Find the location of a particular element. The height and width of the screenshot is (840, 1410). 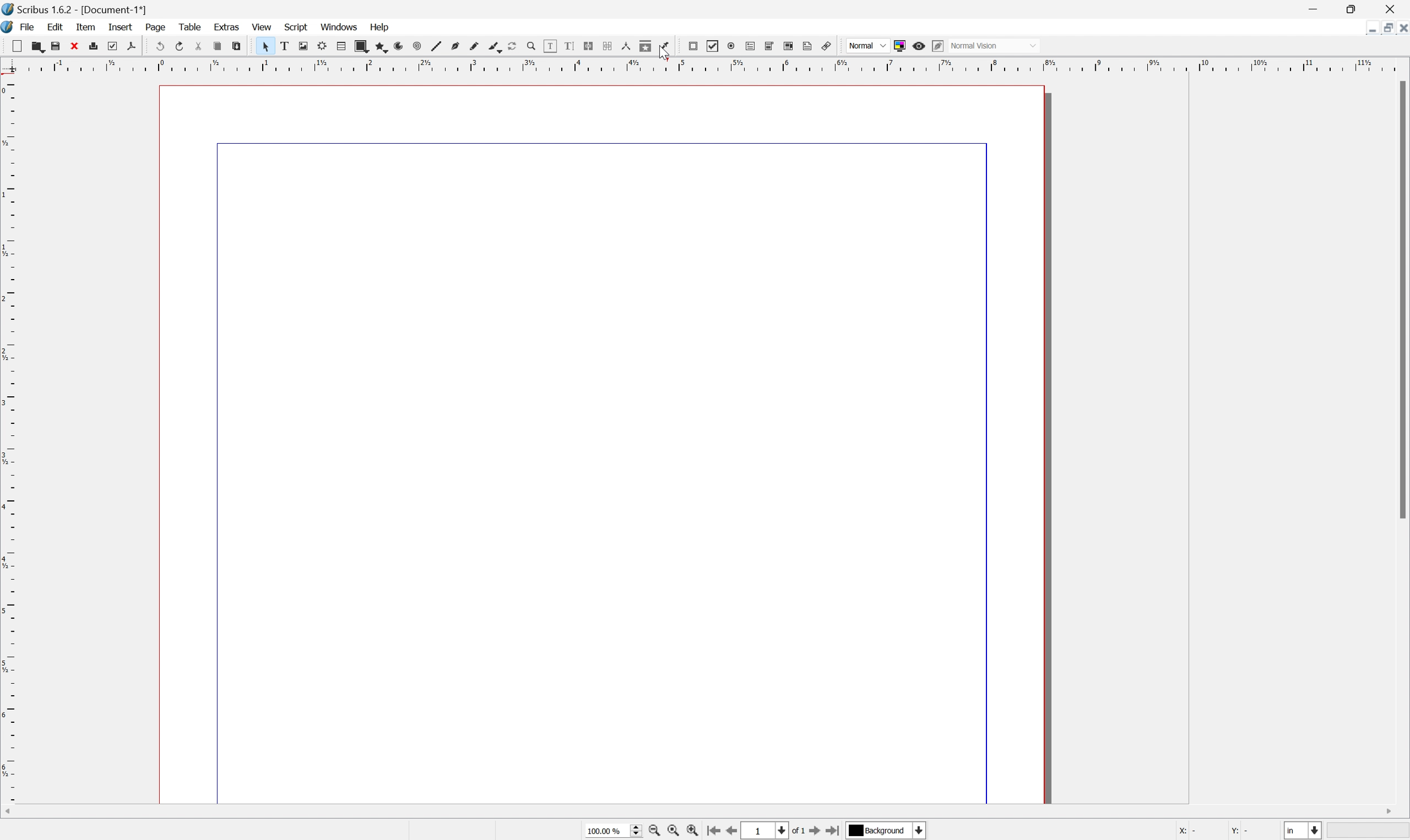

PDF list box is located at coordinates (788, 45).